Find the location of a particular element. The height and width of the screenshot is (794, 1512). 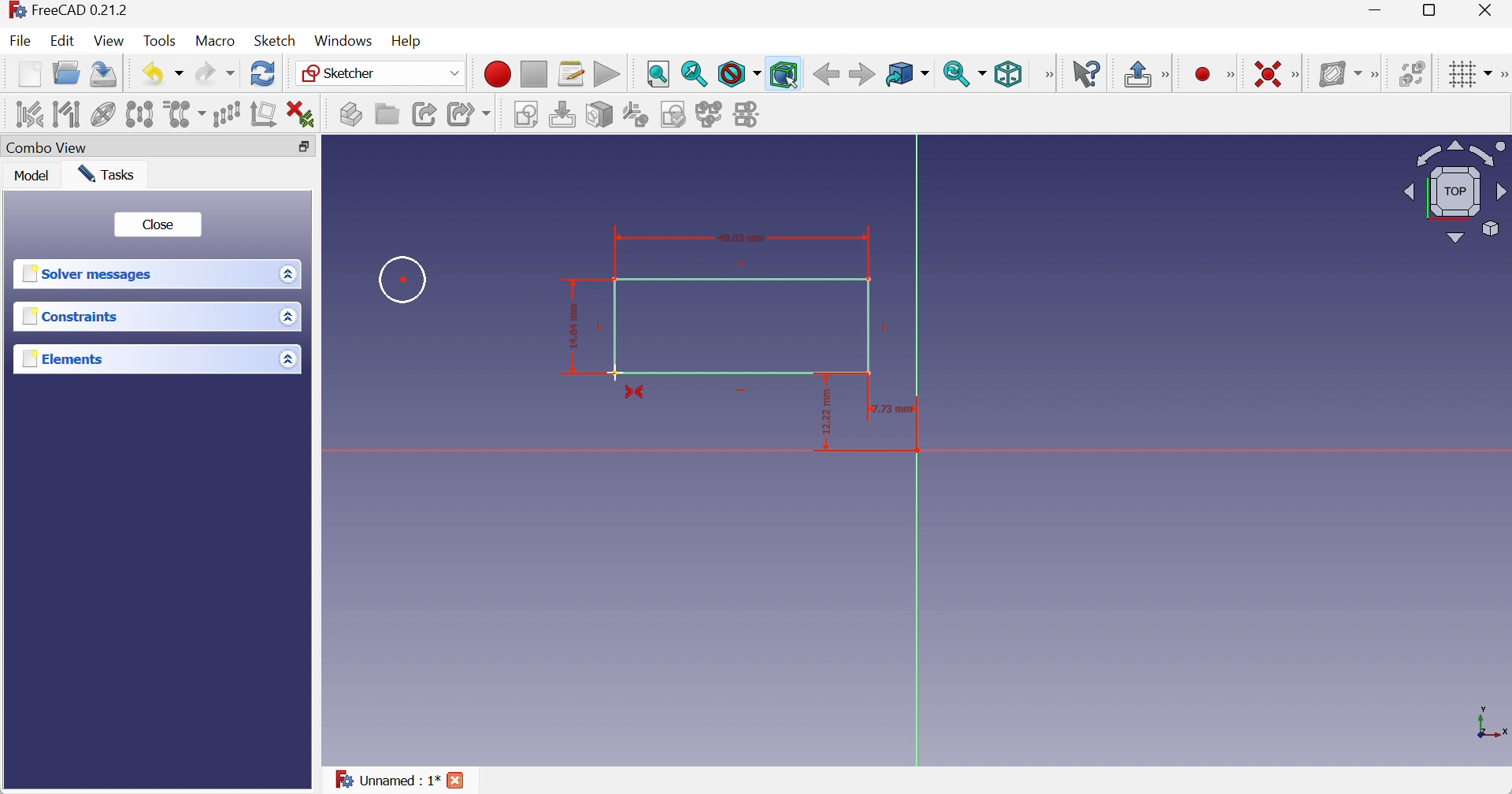

Toggle grid is located at coordinates (1473, 75).